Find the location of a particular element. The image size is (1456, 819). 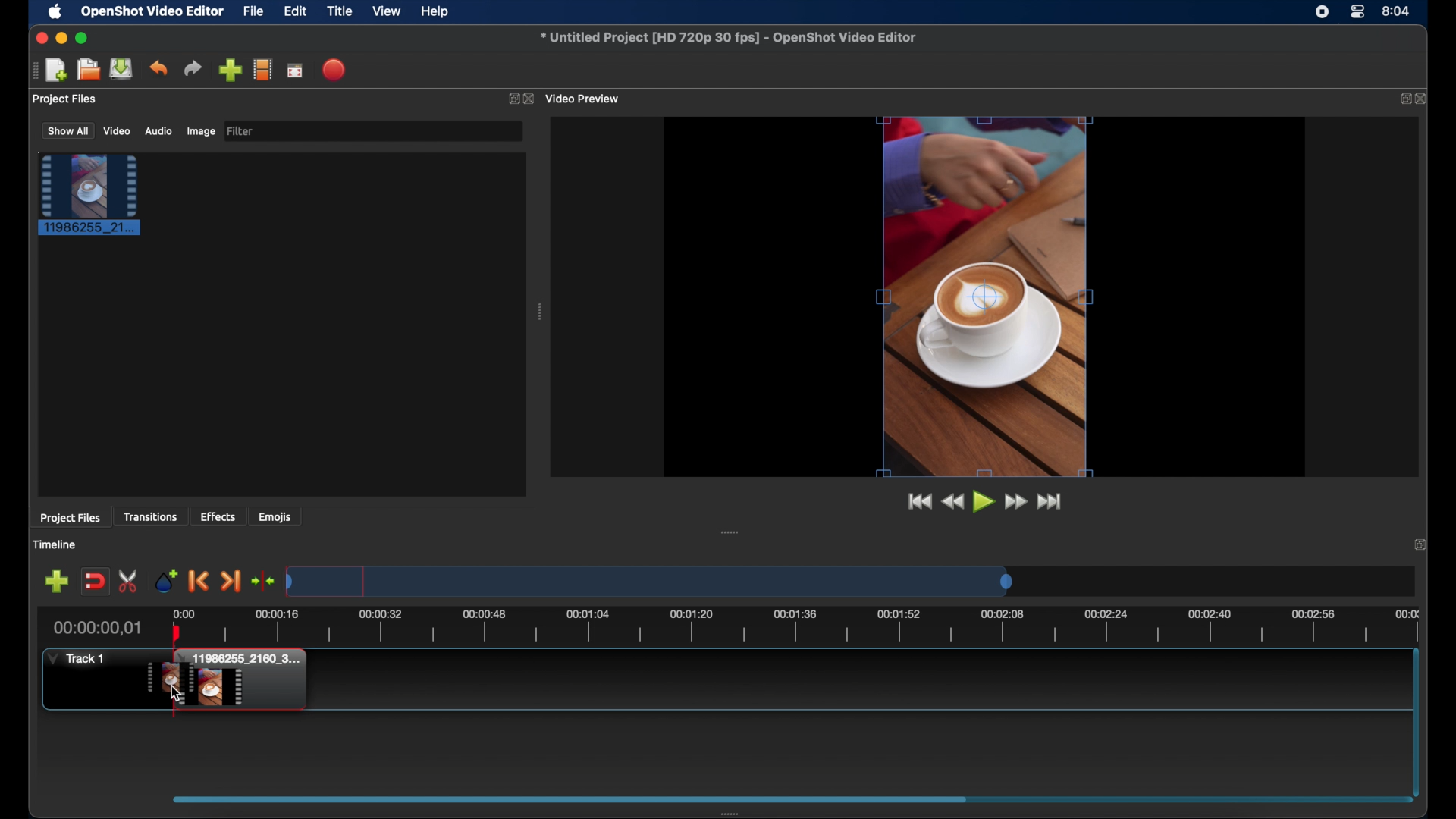

play  is located at coordinates (982, 501).